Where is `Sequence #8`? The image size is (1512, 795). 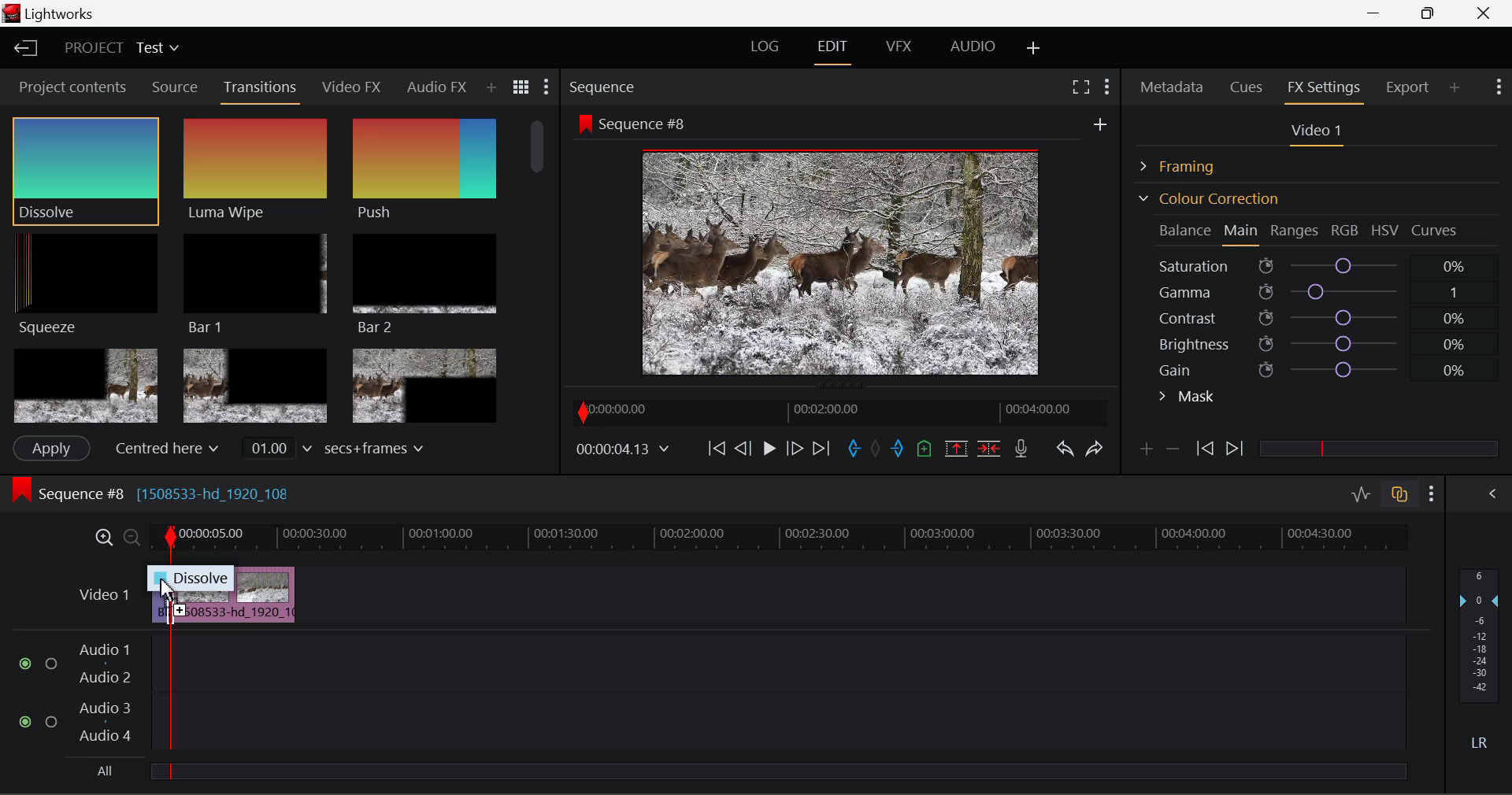
Sequence #8 is located at coordinates (173, 490).